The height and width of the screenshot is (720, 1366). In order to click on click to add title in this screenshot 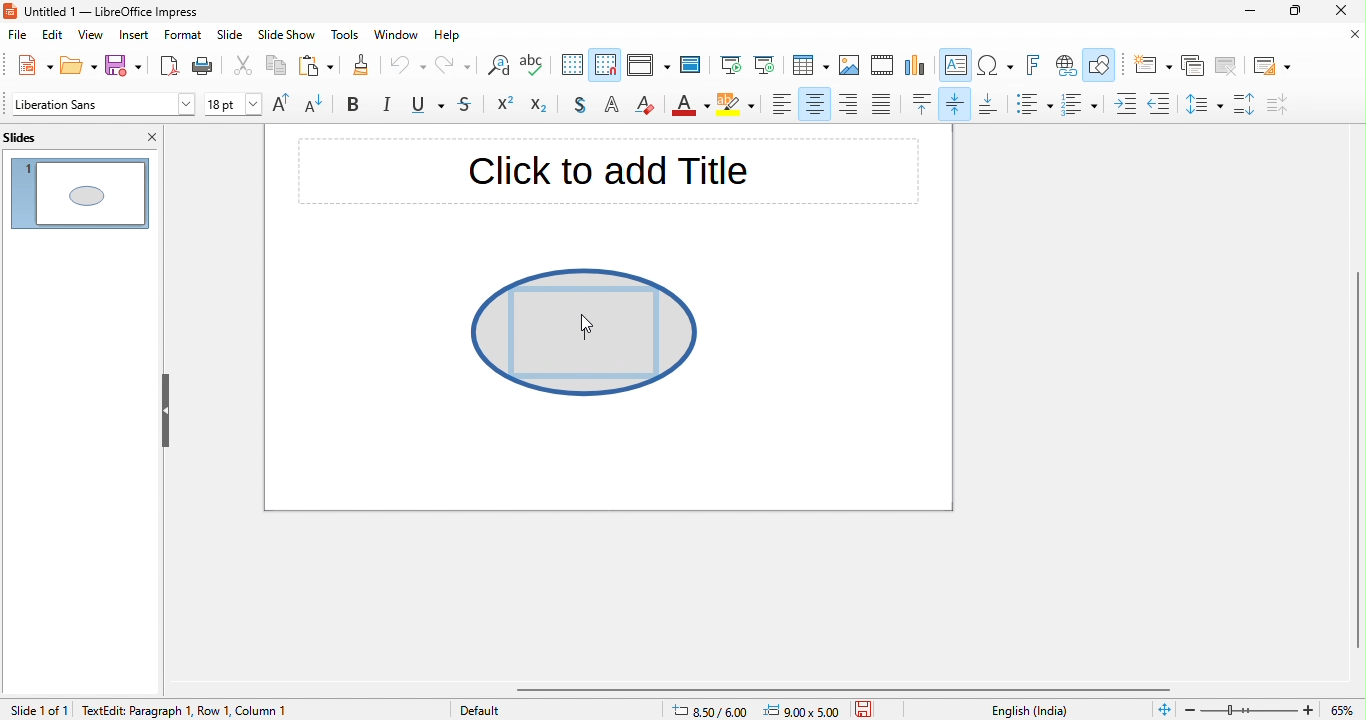, I will do `click(615, 166)`.